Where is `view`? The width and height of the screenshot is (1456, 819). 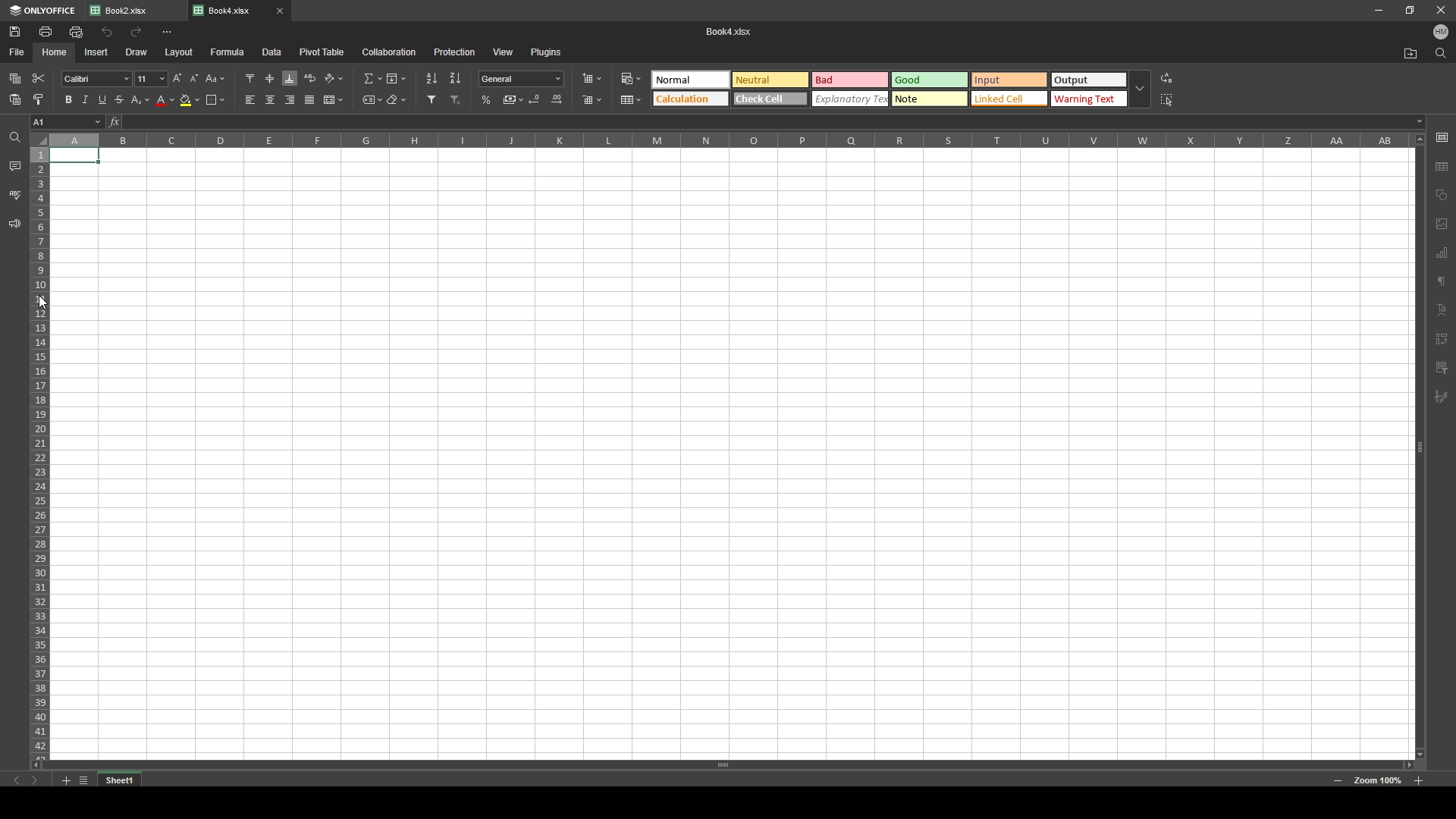
view is located at coordinates (503, 52).